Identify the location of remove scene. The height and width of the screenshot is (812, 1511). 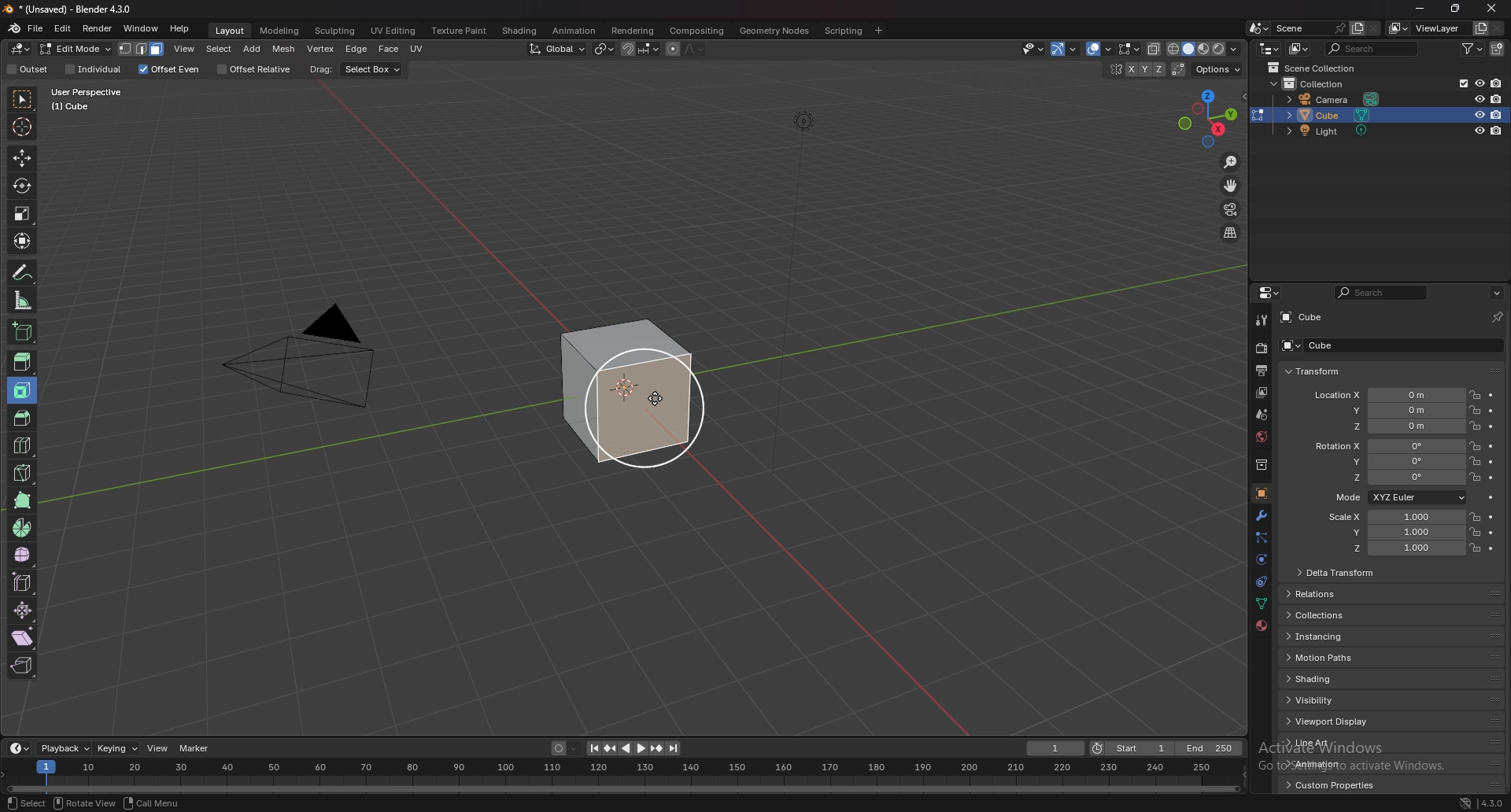
(1373, 28).